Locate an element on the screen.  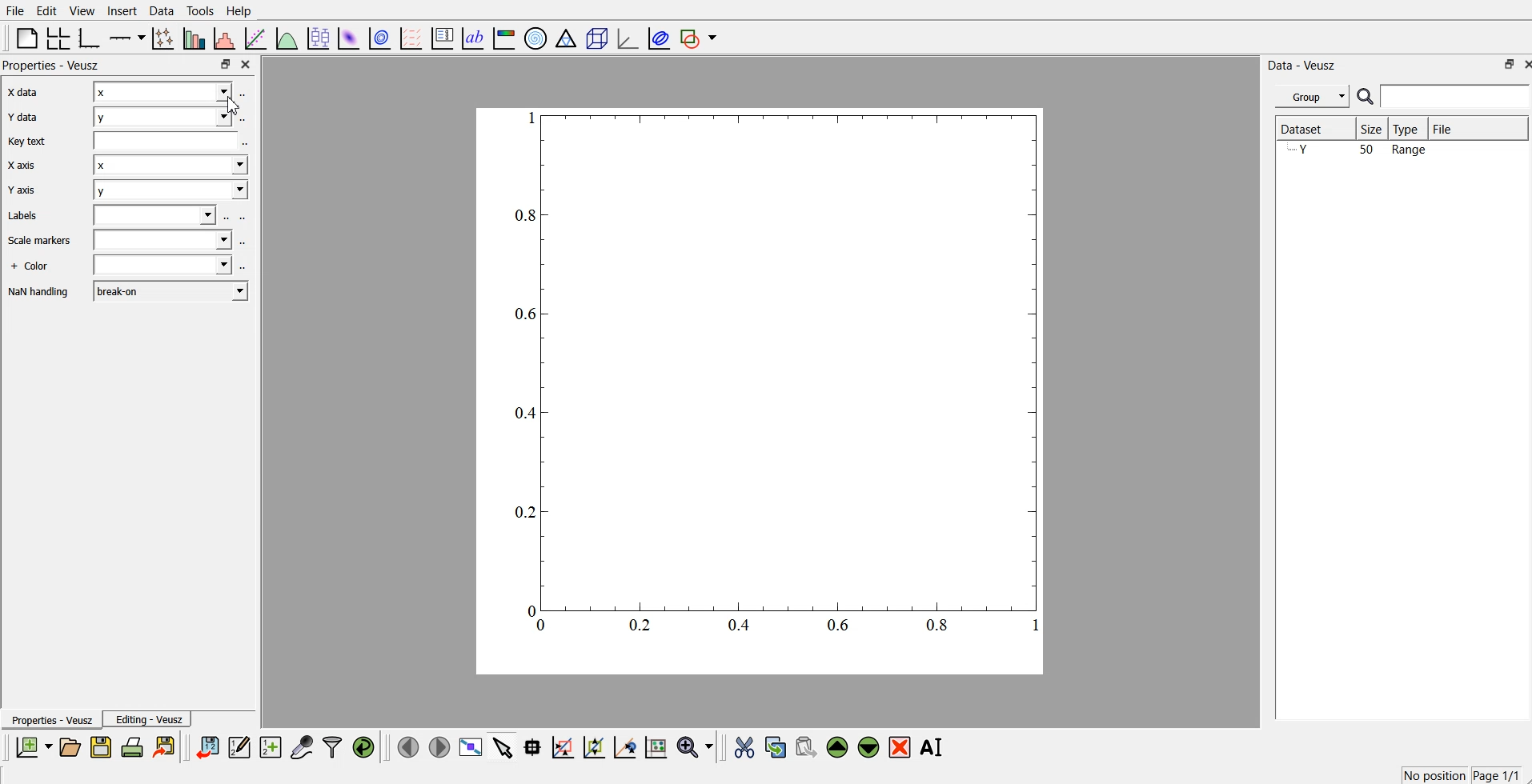
plot 2d datasets as image is located at coordinates (350, 36).